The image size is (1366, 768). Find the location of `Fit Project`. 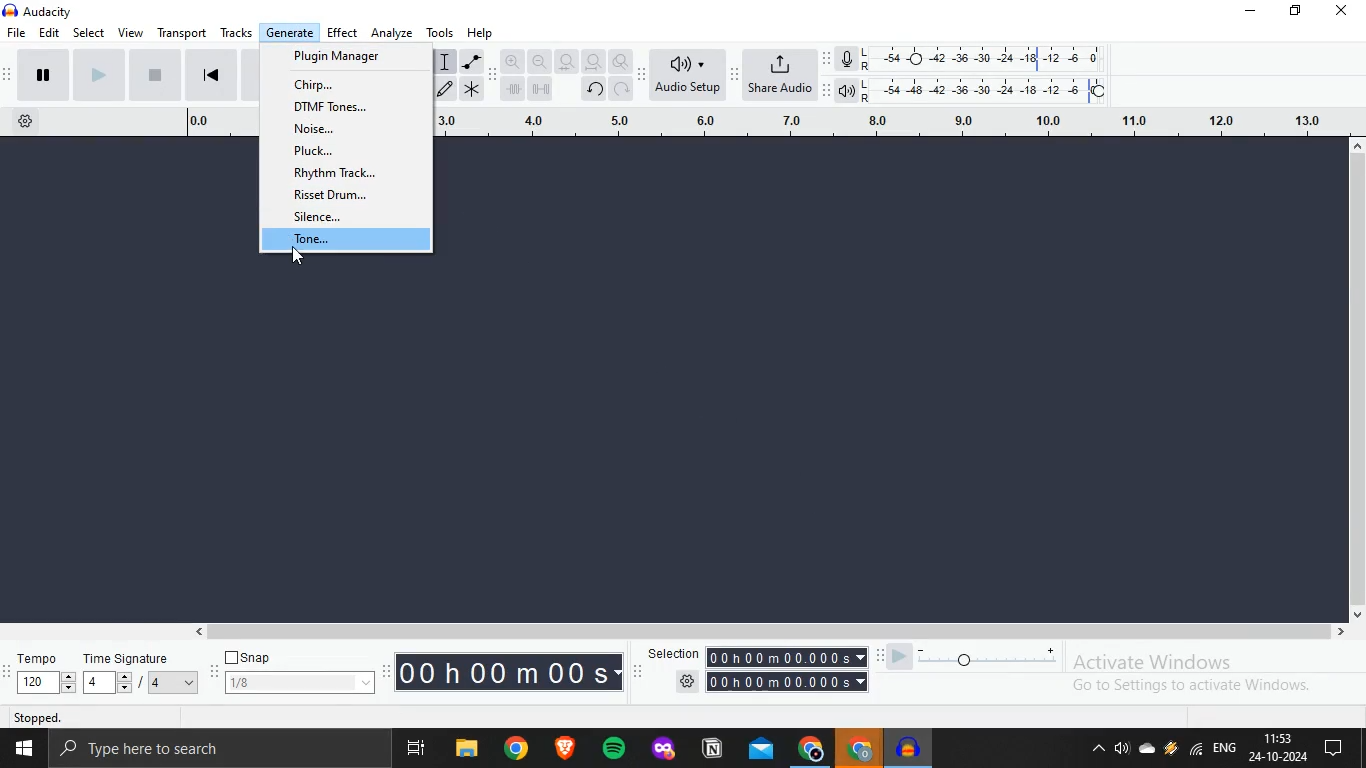

Fit Project is located at coordinates (593, 61).